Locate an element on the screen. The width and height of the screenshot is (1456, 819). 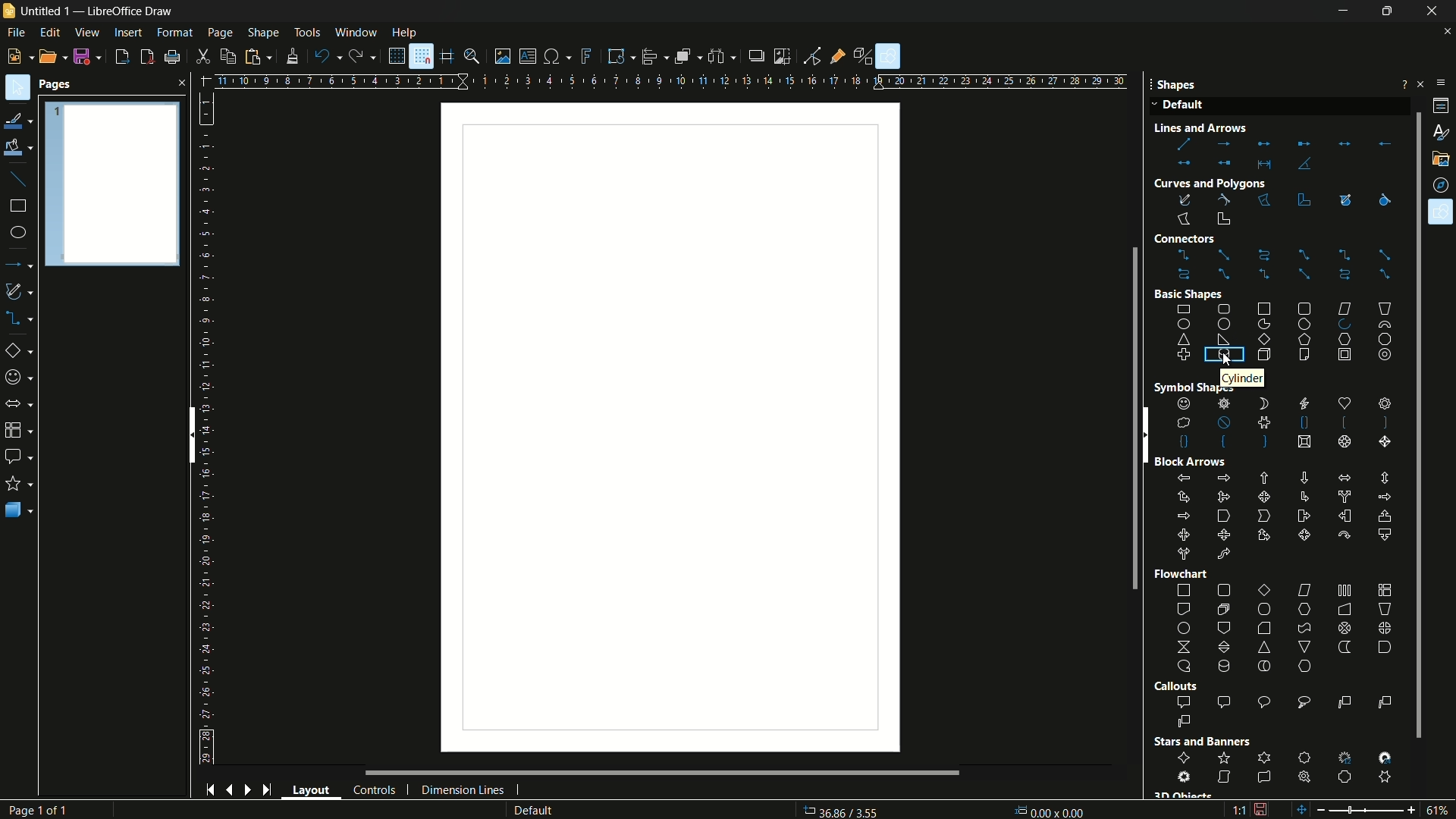
Connectors is located at coordinates (1209, 239).